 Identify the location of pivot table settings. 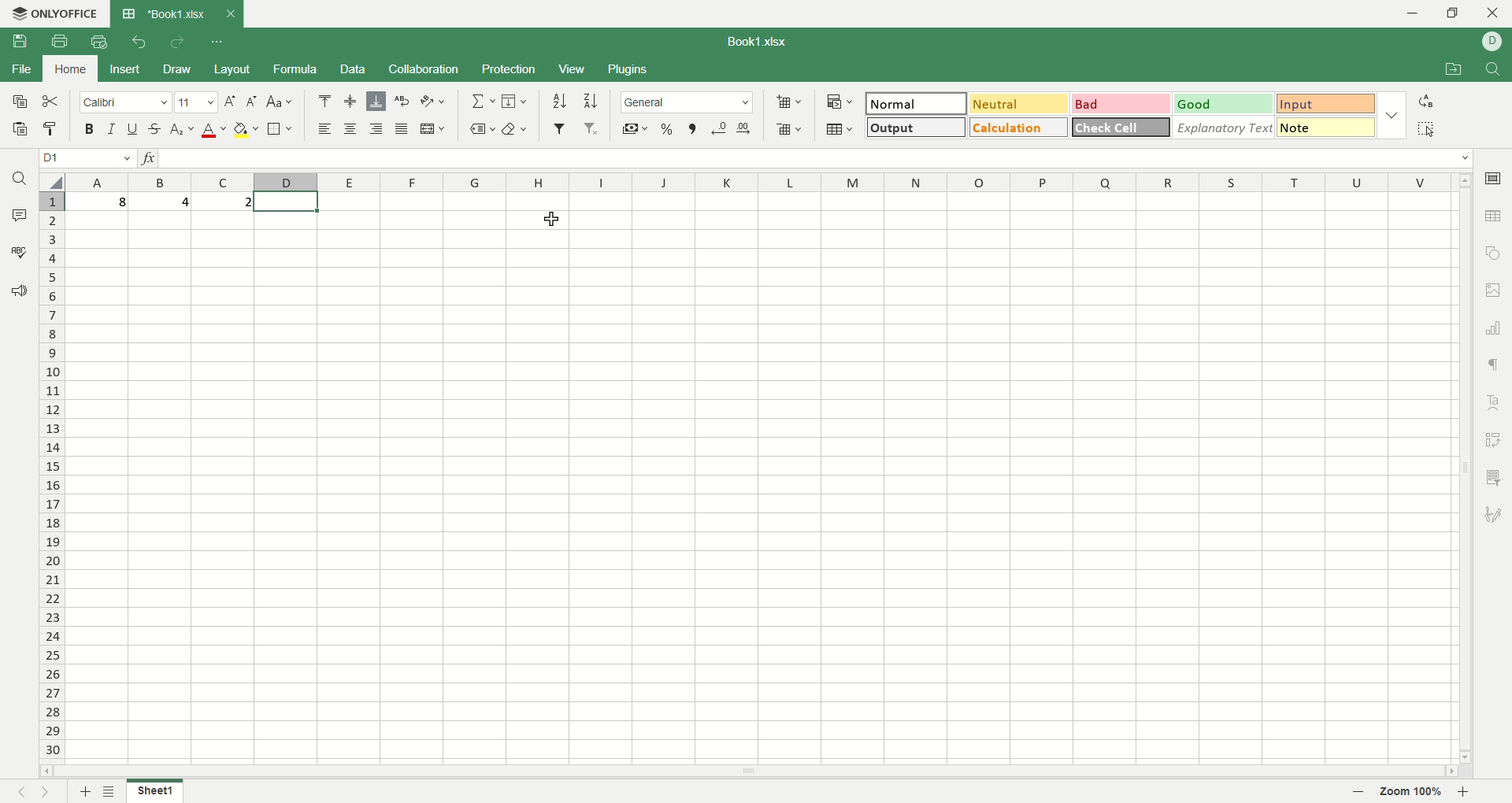
(1495, 440).